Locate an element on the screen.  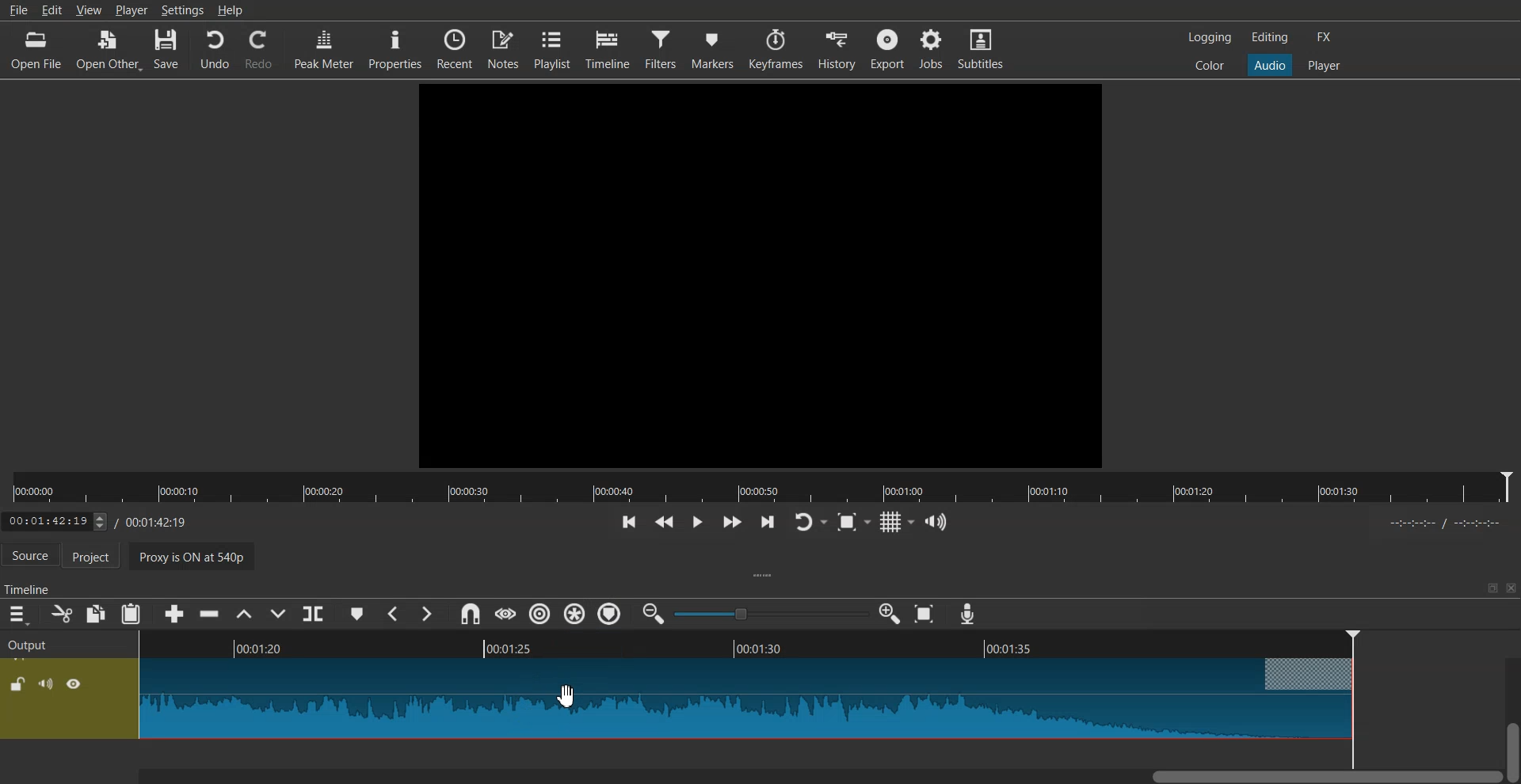
Show the volume control is located at coordinates (936, 521).